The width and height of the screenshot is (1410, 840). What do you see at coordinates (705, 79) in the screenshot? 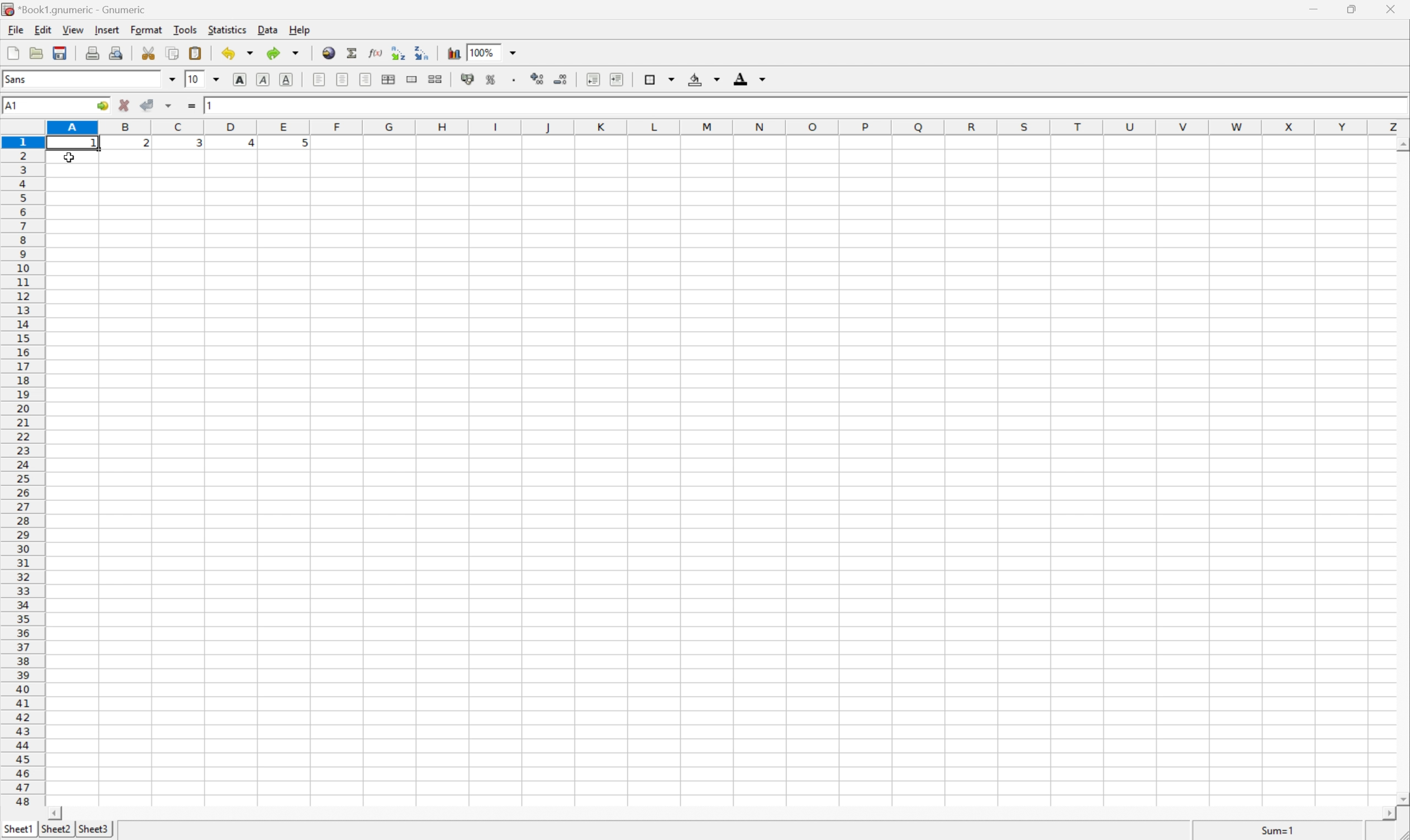
I see `background` at bounding box center [705, 79].